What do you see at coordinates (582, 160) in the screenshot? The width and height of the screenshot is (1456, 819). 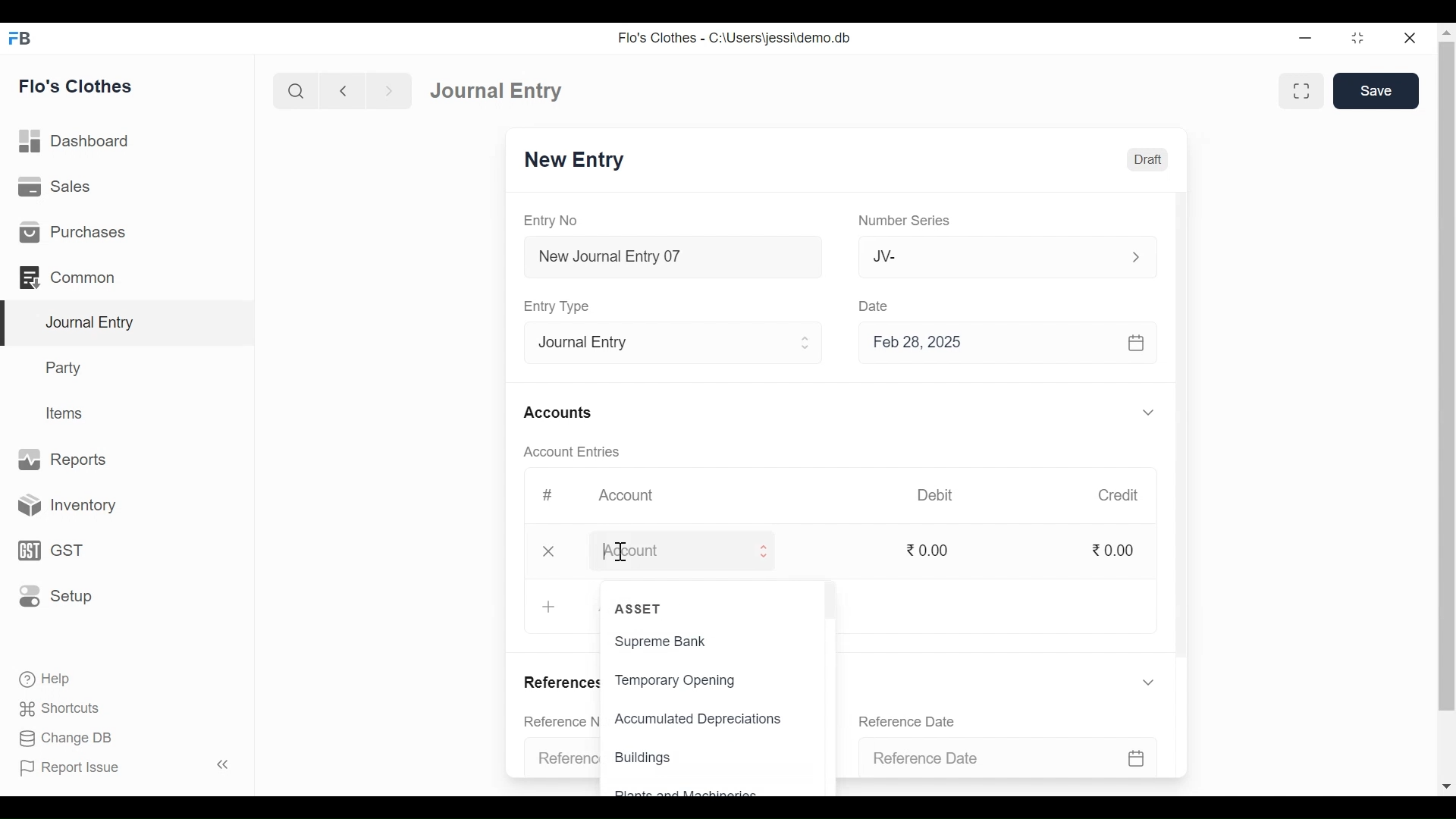 I see `New Entry` at bounding box center [582, 160].